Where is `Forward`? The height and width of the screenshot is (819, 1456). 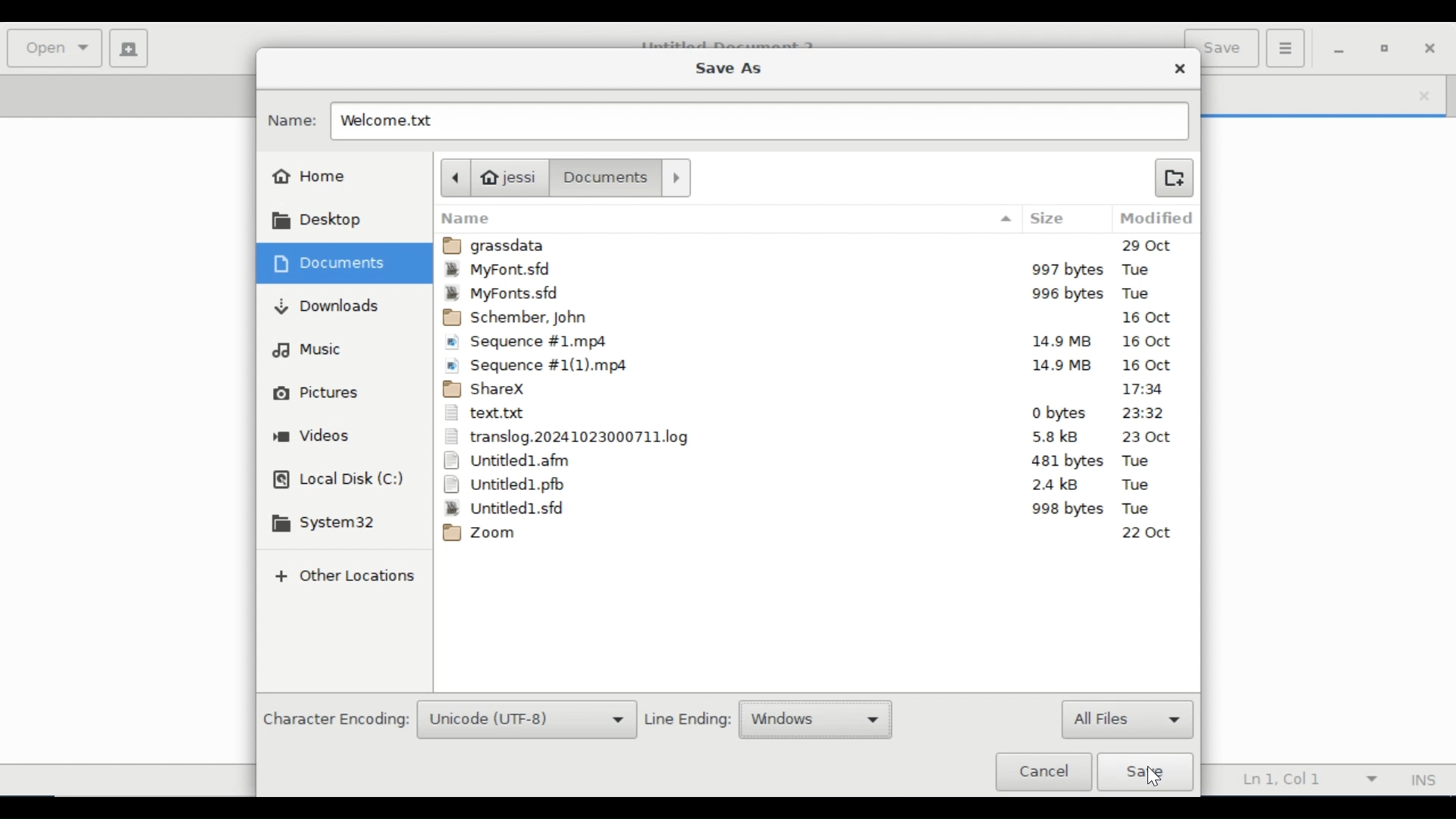
Forward is located at coordinates (676, 177).